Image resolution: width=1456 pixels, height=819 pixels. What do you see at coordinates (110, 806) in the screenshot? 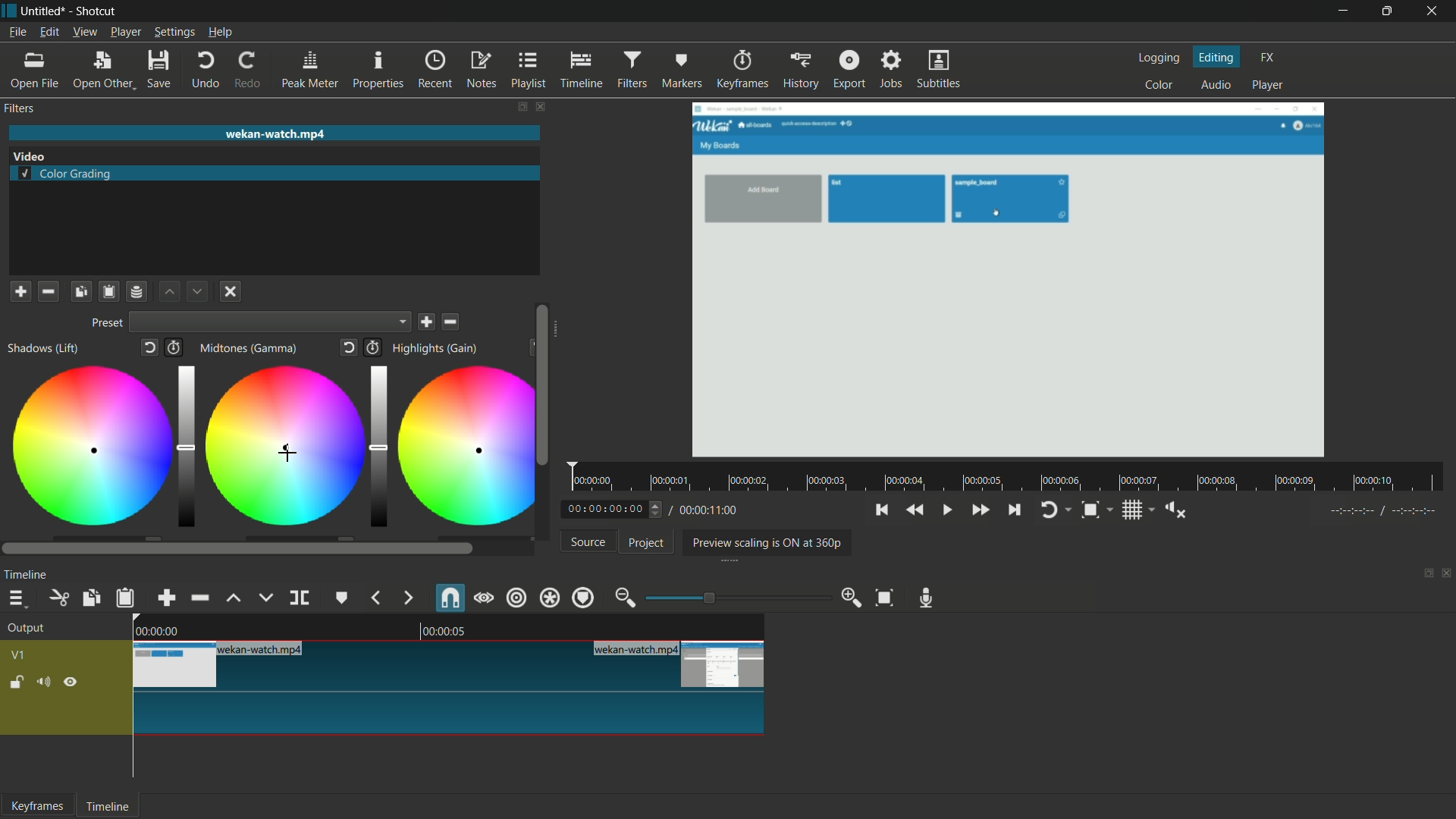
I see `timeline` at bounding box center [110, 806].